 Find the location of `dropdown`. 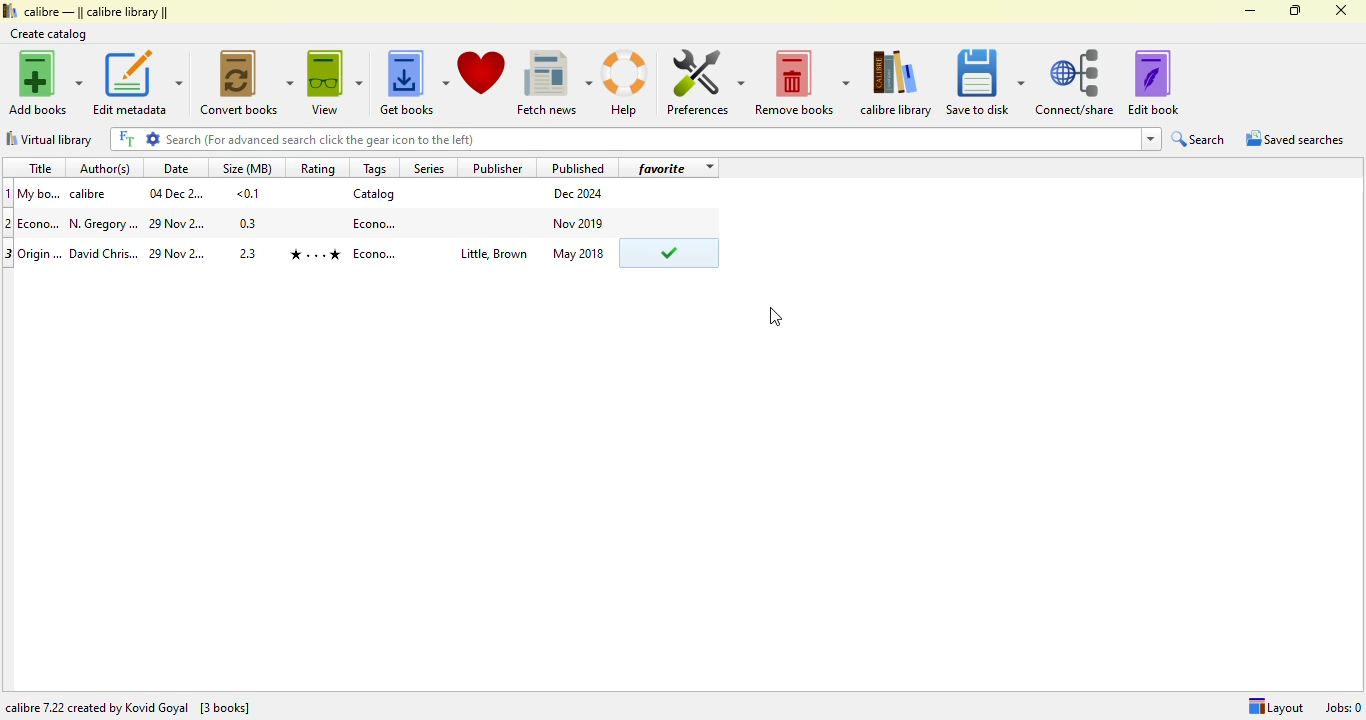

dropdown is located at coordinates (1150, 139).